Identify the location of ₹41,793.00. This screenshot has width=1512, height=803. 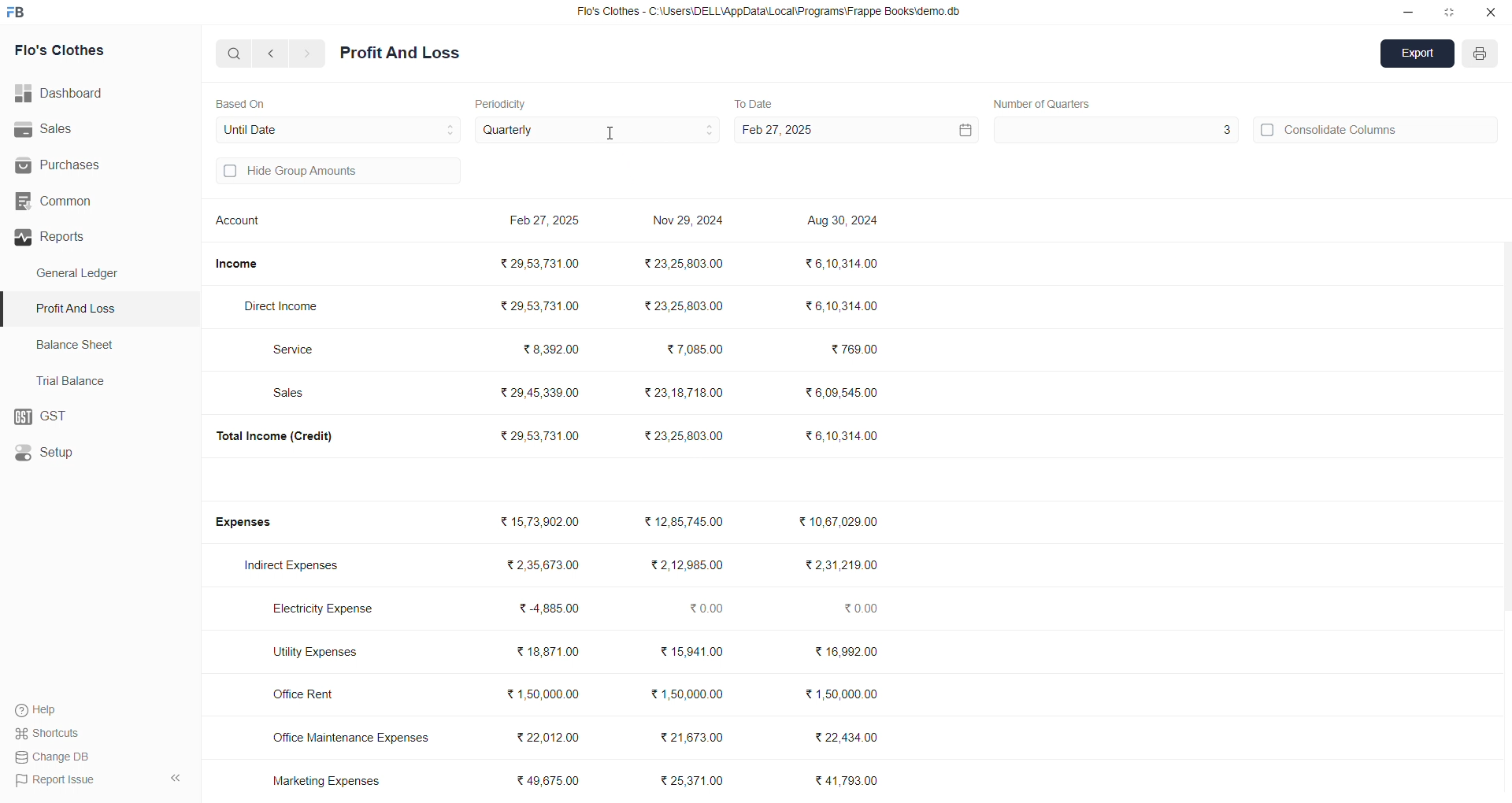
(850, 781).